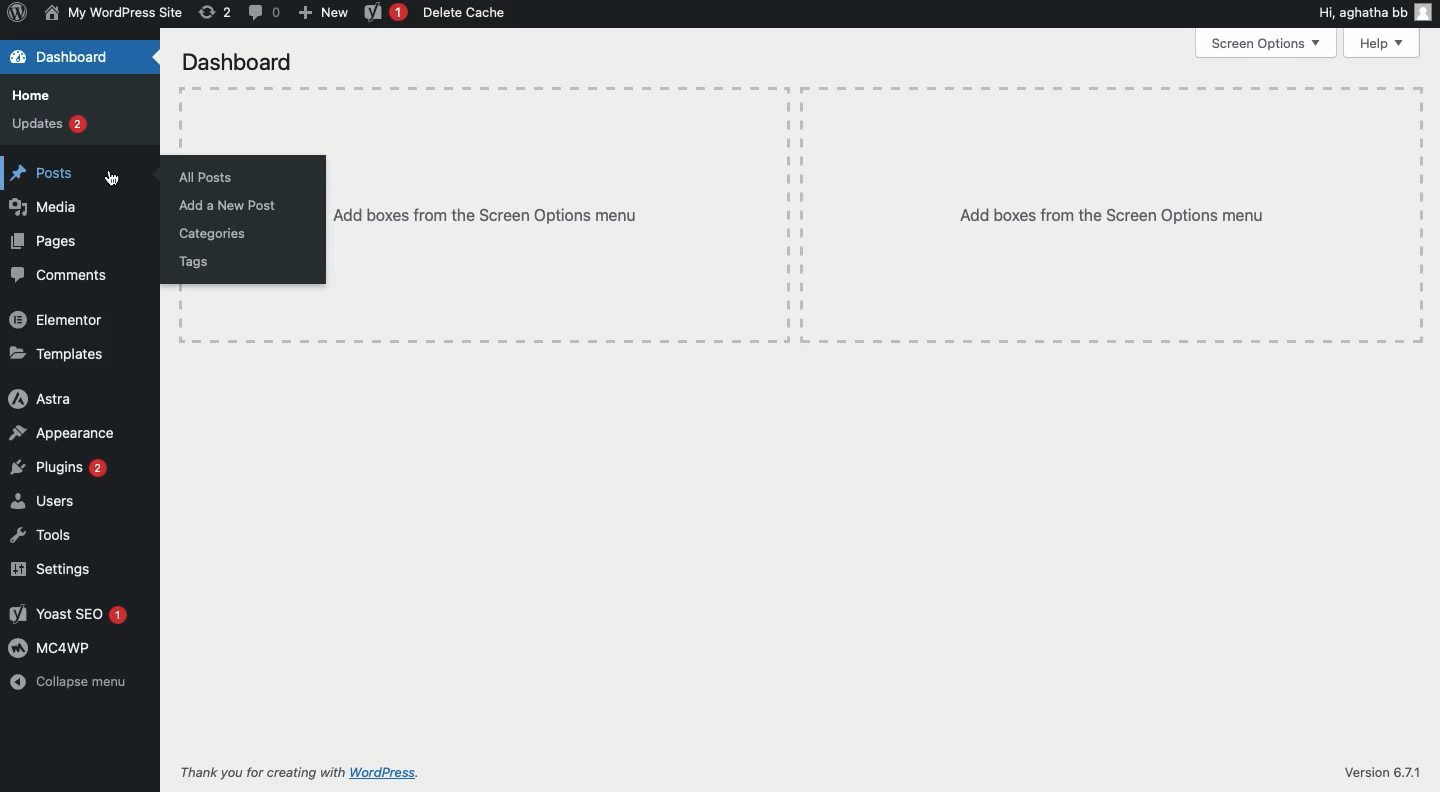 The width and height of the screenshot is (1440, 792). I want to click on Delete cache, so click(465, 13).